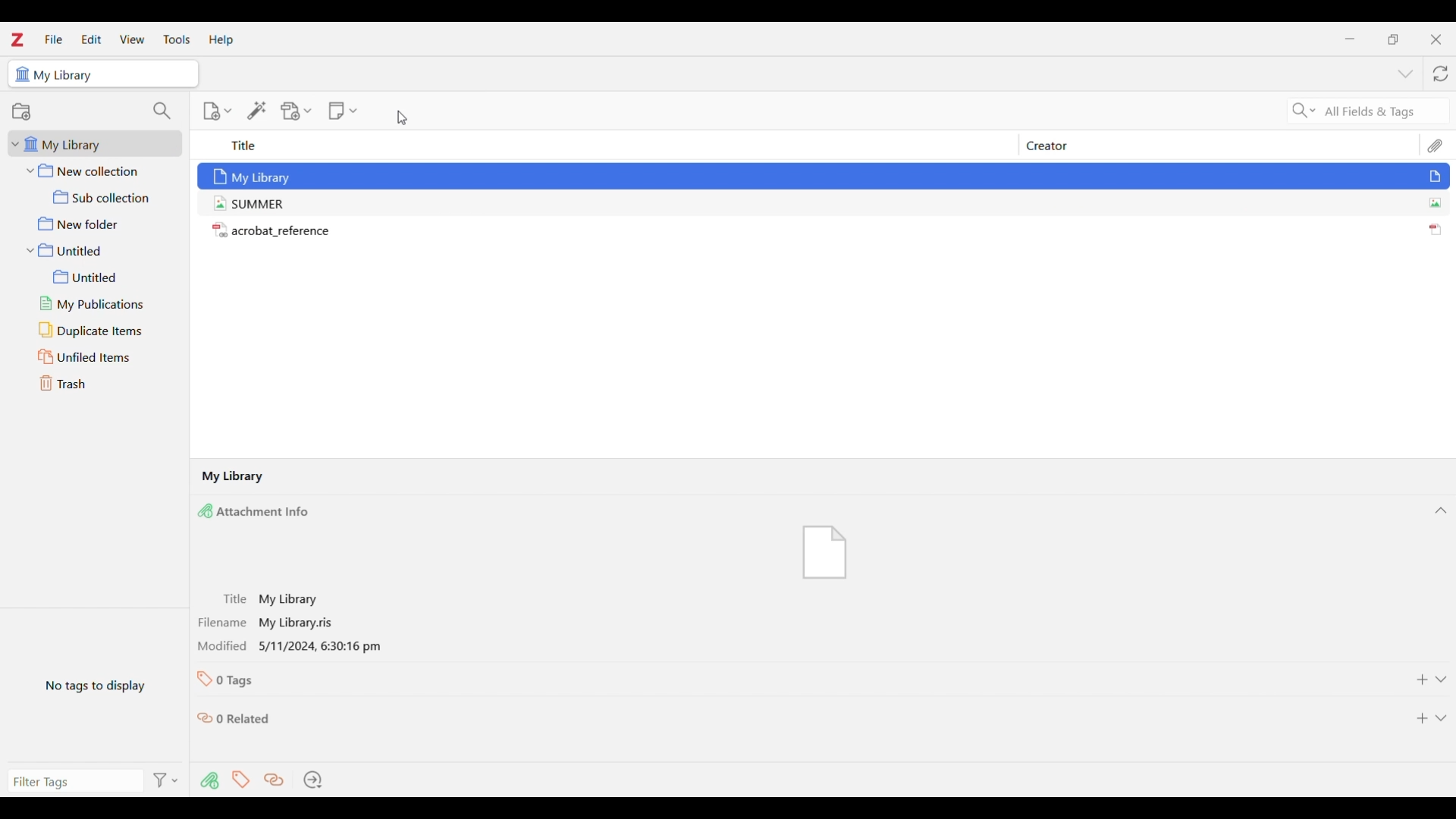 This screenshot has height=819, width=1456. What do you see at coordinates (281, 623) in the screenshot?
I see `Filename: mylibrary.ris` at bounding box center [281, 623].